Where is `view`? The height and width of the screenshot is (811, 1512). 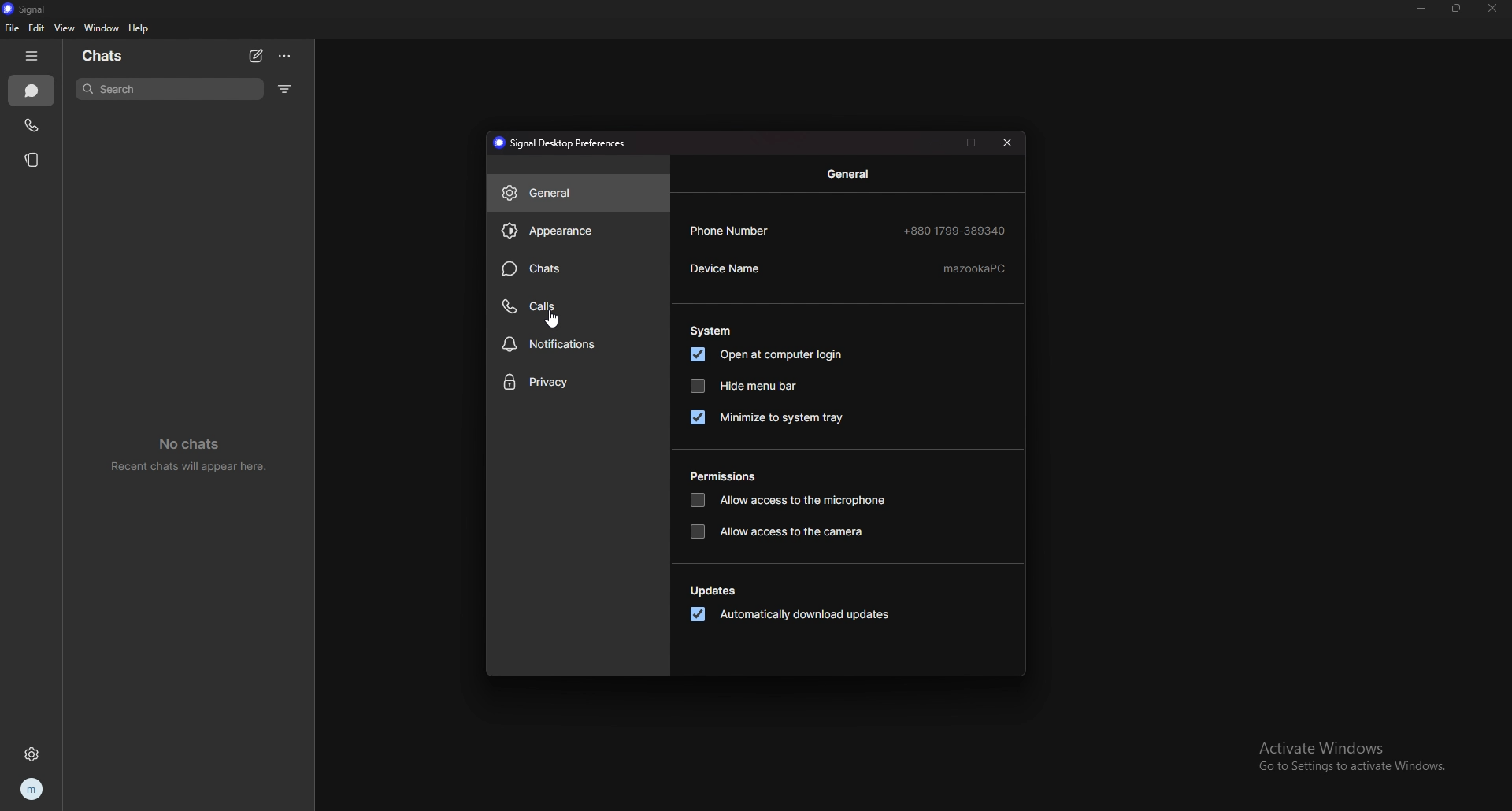
view is located at coordinates (64, 28).